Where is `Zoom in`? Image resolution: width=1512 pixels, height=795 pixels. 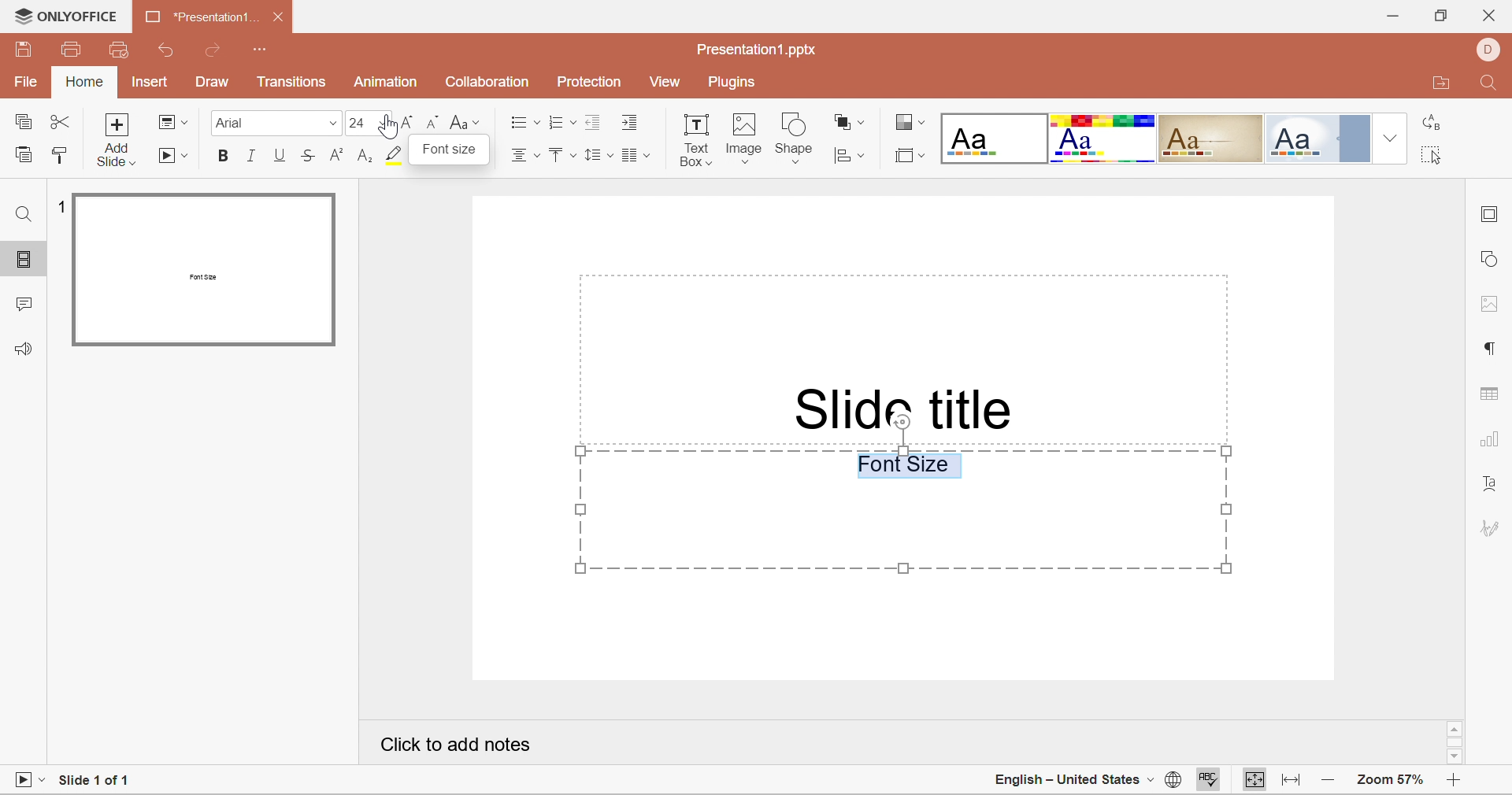
Zoom in is located at coordinates (1453, 783).